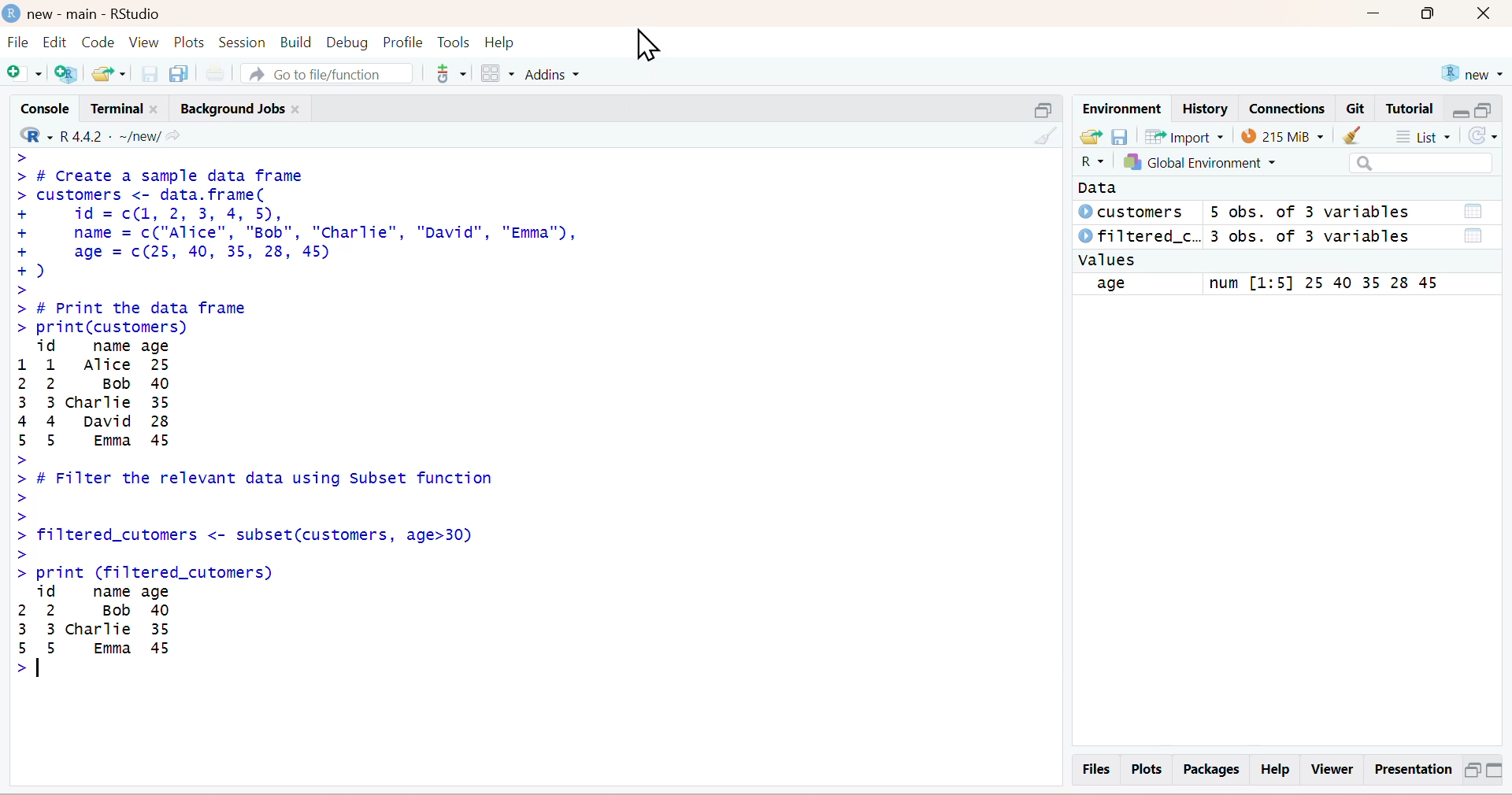 The image size is (1512, 795). I want to click on - R442 - ~/new/, so click(119, 134).